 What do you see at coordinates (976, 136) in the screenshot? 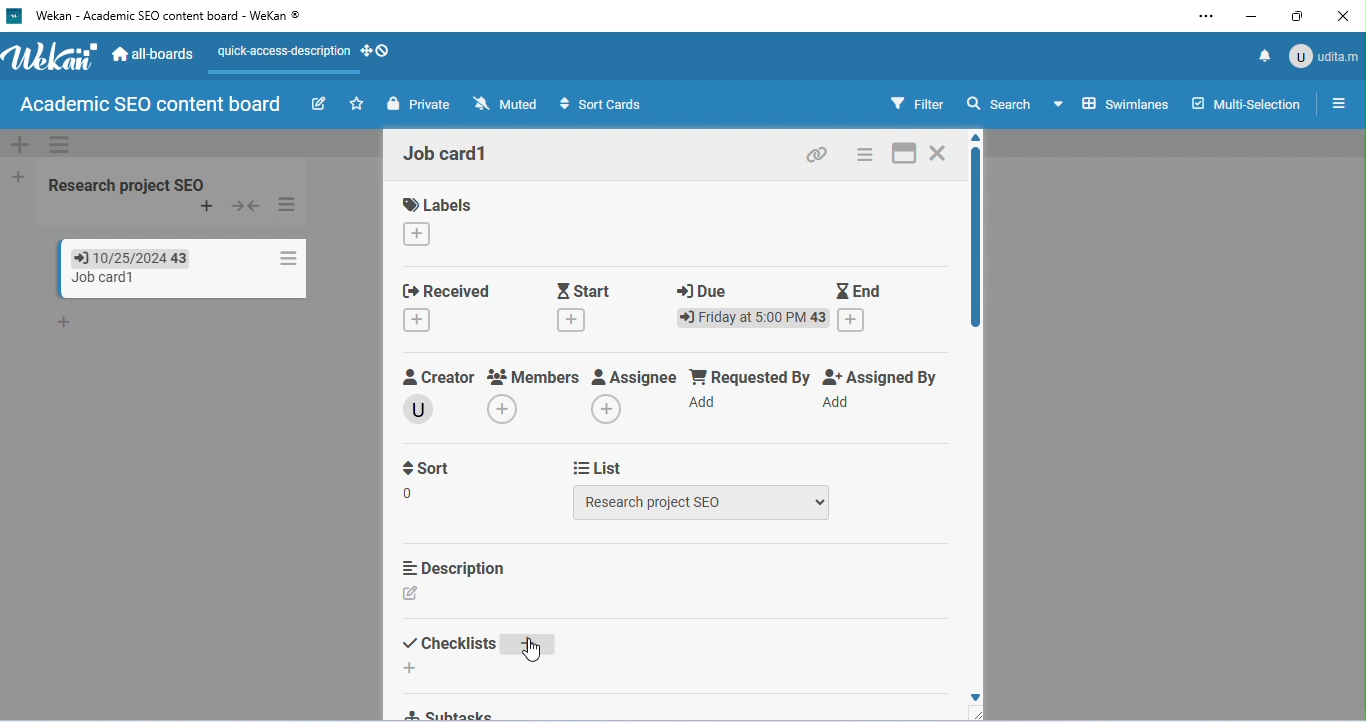
I see `scroll up` at bounding box center [976, 136].